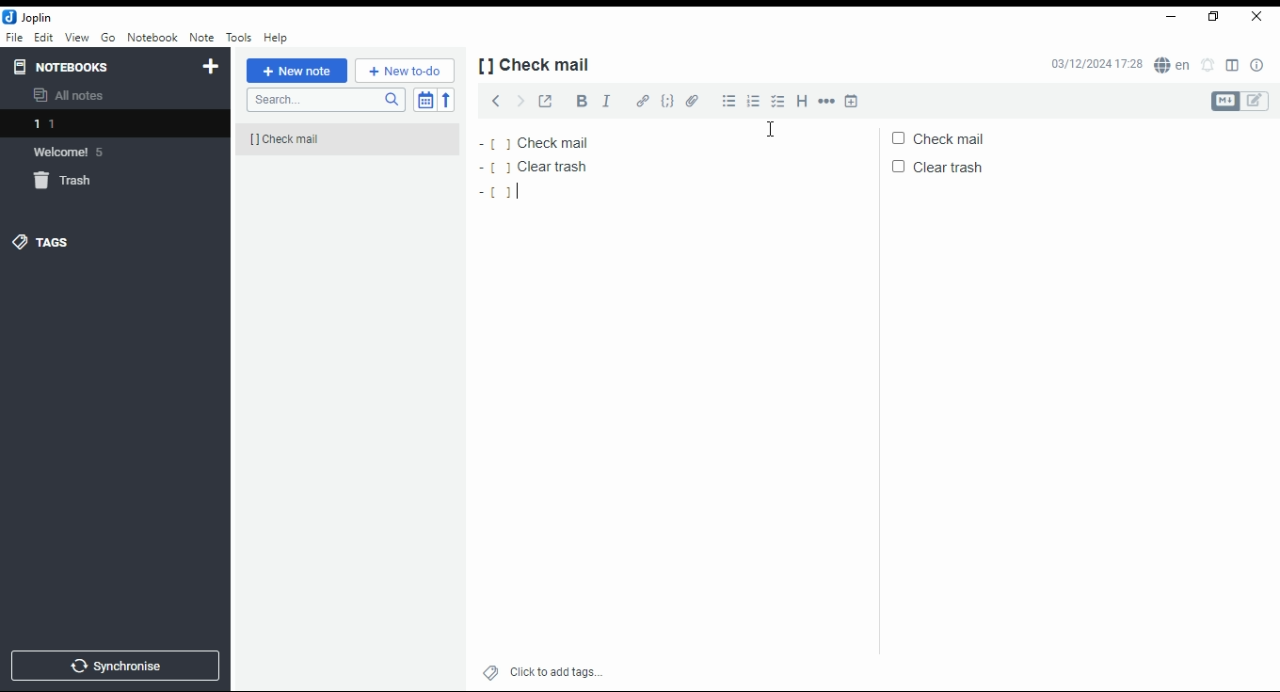 The width and height of the screenshot is (1280, 692). I want to click on clear trash, so click(540, 170).